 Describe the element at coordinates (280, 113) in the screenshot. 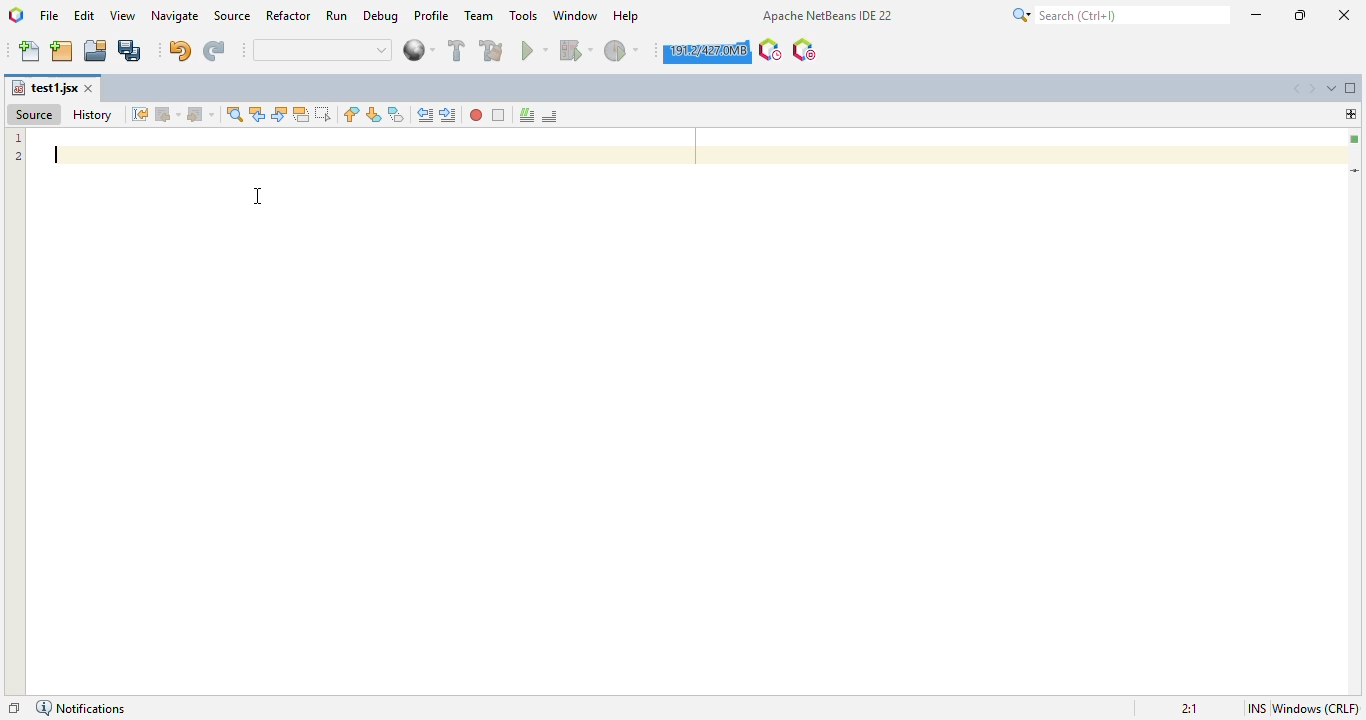

I see `find next occurrence` at that location.